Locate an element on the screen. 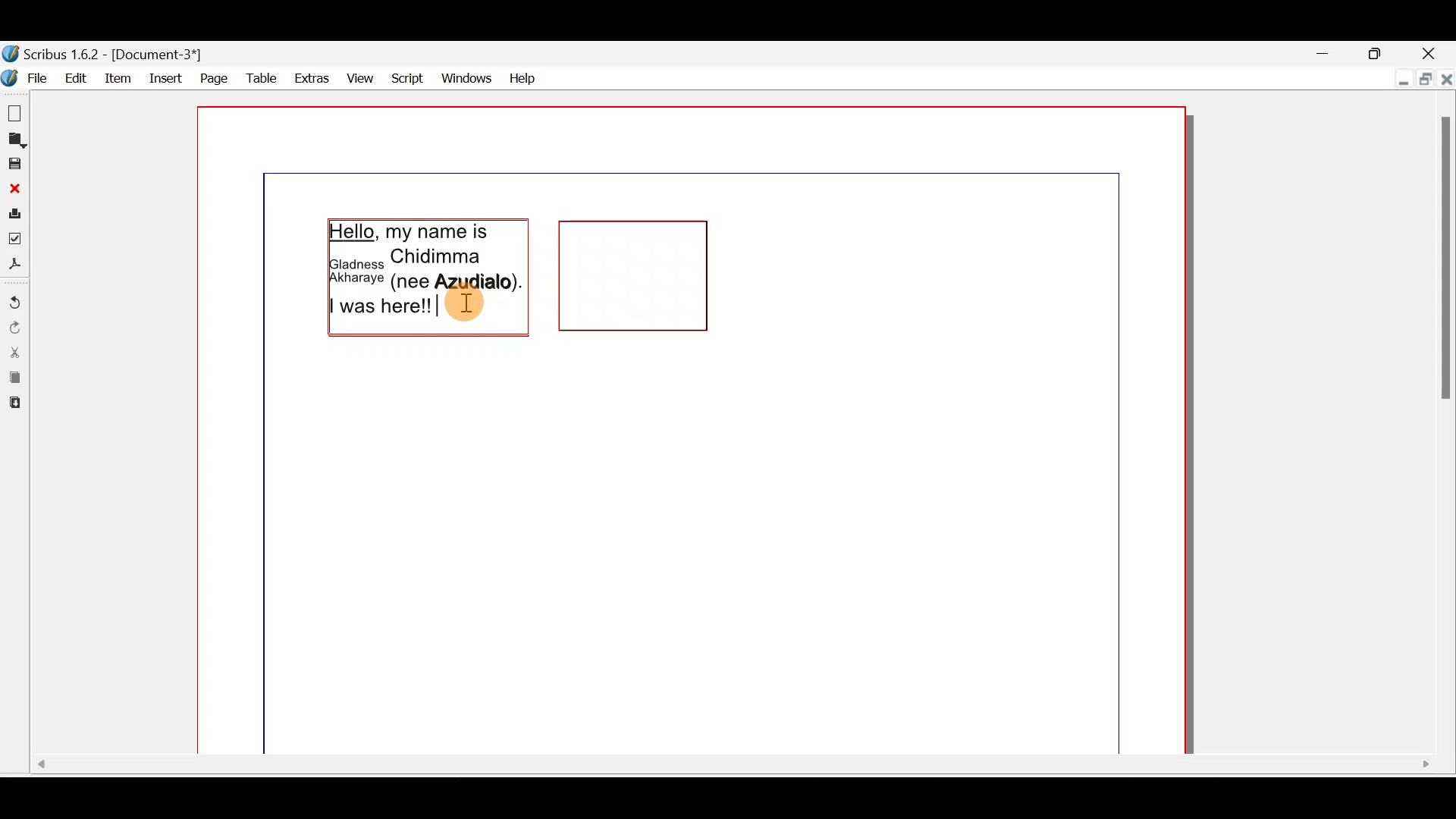  New is located at coordinates (17, 112).